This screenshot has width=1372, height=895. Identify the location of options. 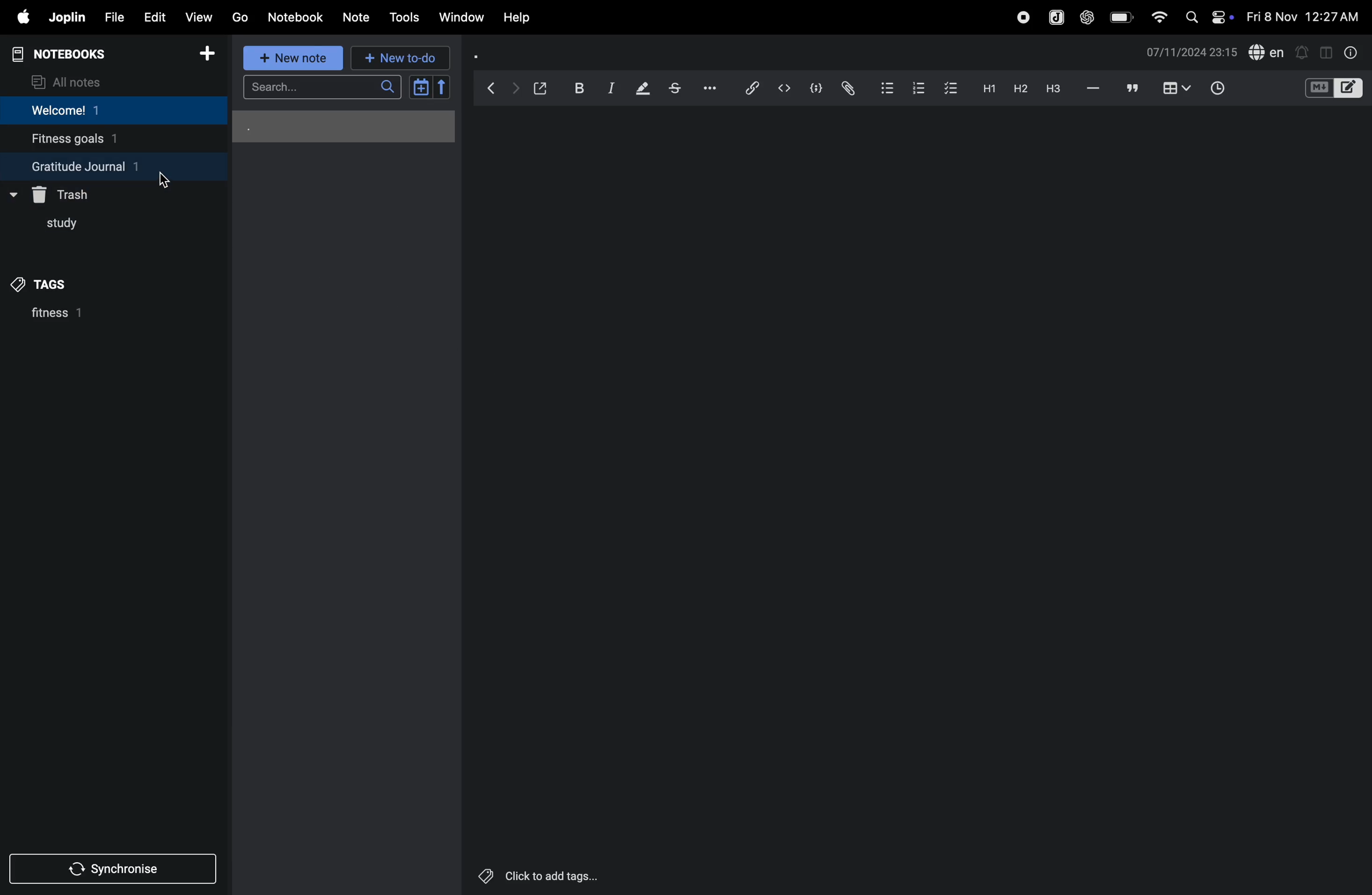
(715, 87).